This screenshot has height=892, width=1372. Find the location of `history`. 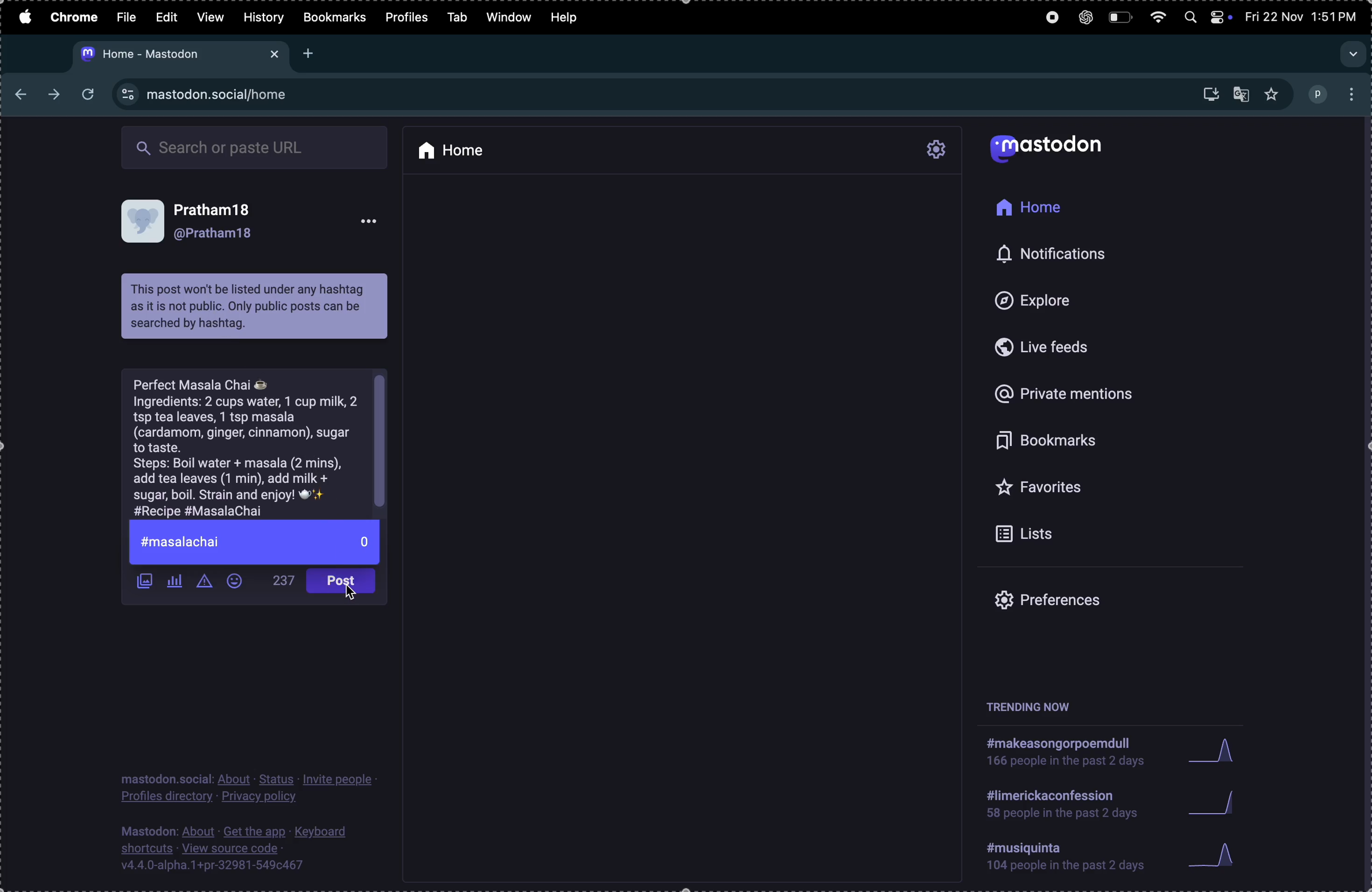

history is located at coordinates (265, 17).